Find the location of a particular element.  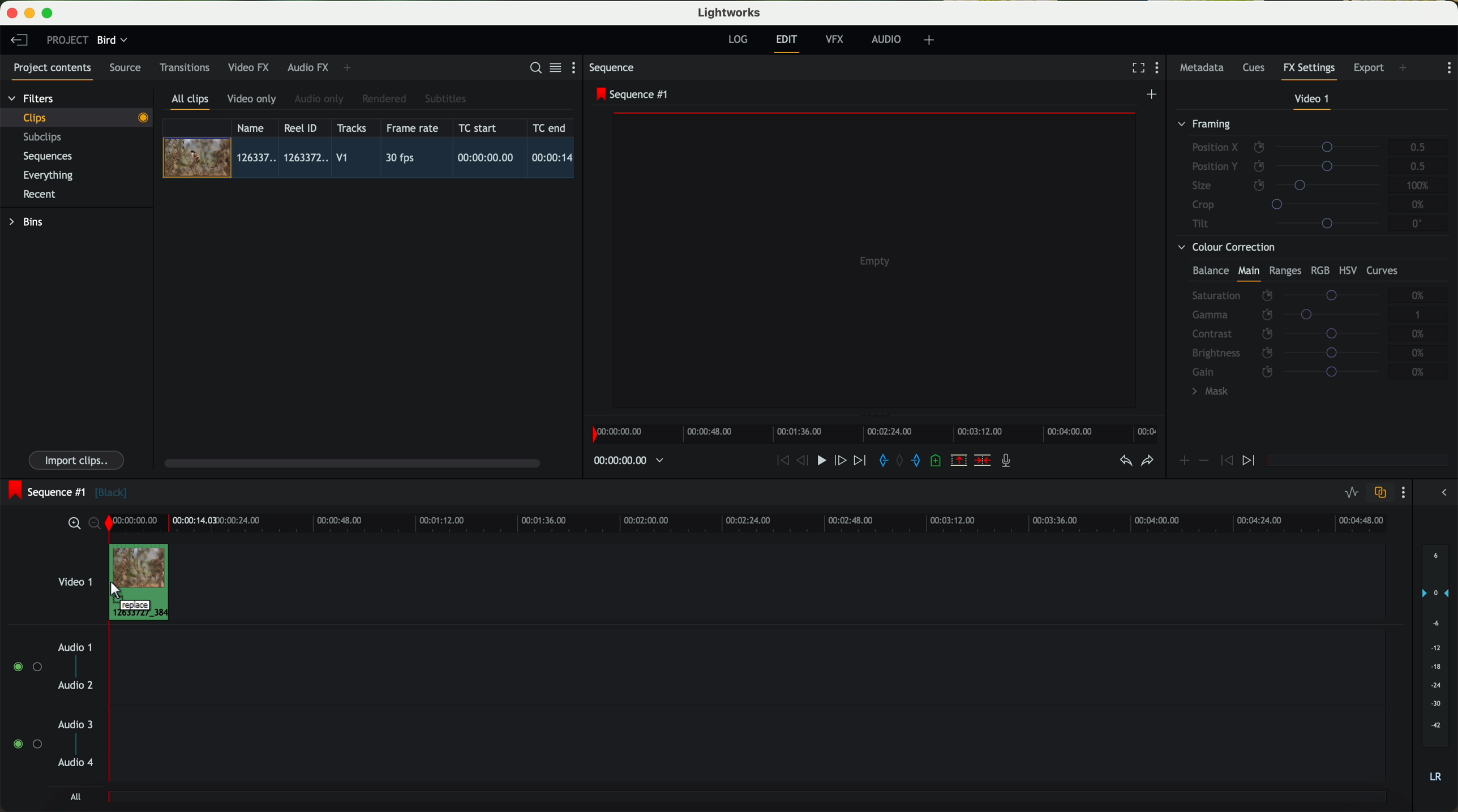

add panel is located at coordinates (1406, 69).